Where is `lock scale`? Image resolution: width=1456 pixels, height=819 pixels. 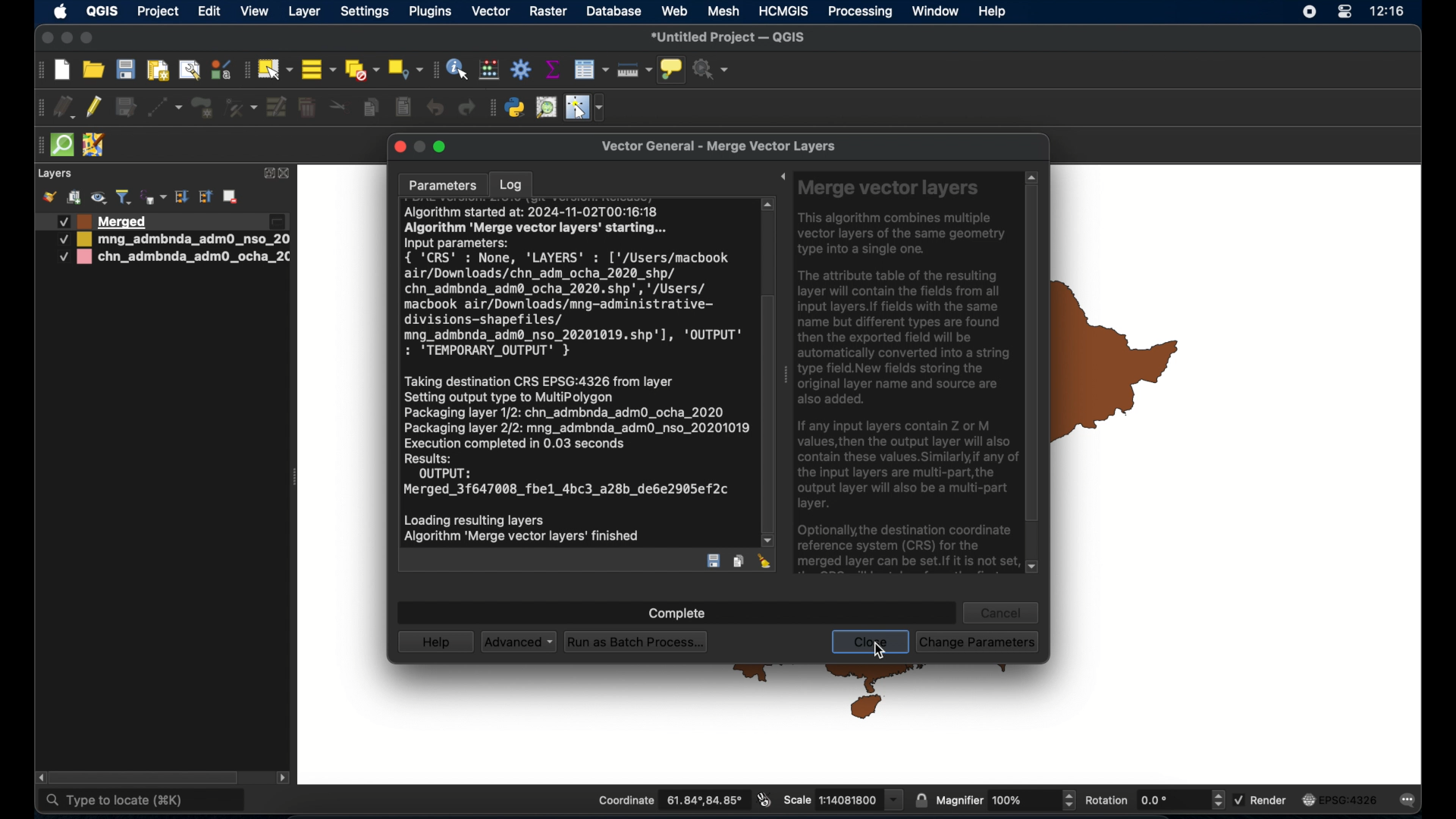
lock scale is located at coordinates (921, 799).